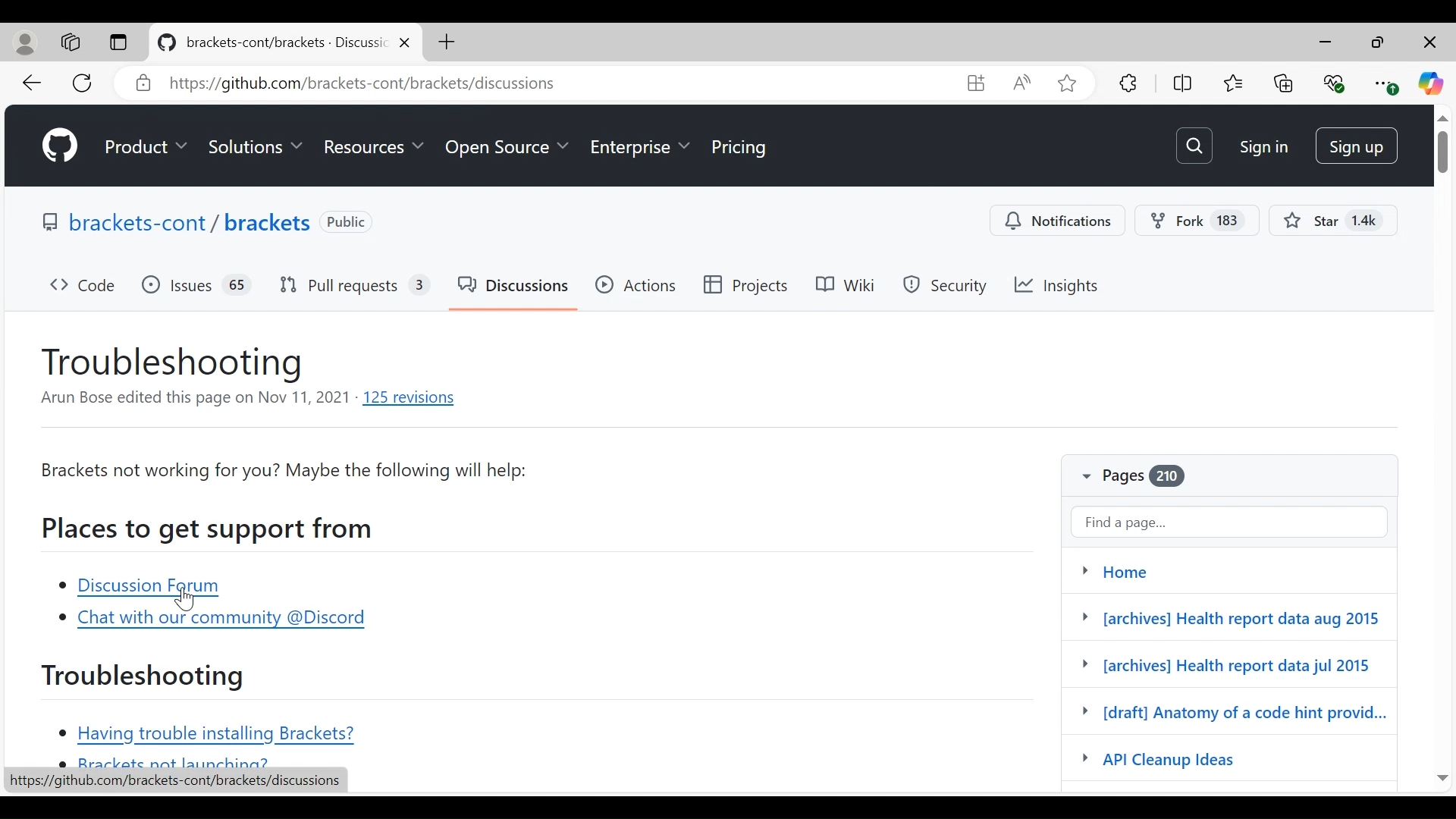 The image size is (1456, 819). What do you see at coordinates (445, 41) in the screenshot?
I see `Add New Tab` at bounding box center [445, 41].